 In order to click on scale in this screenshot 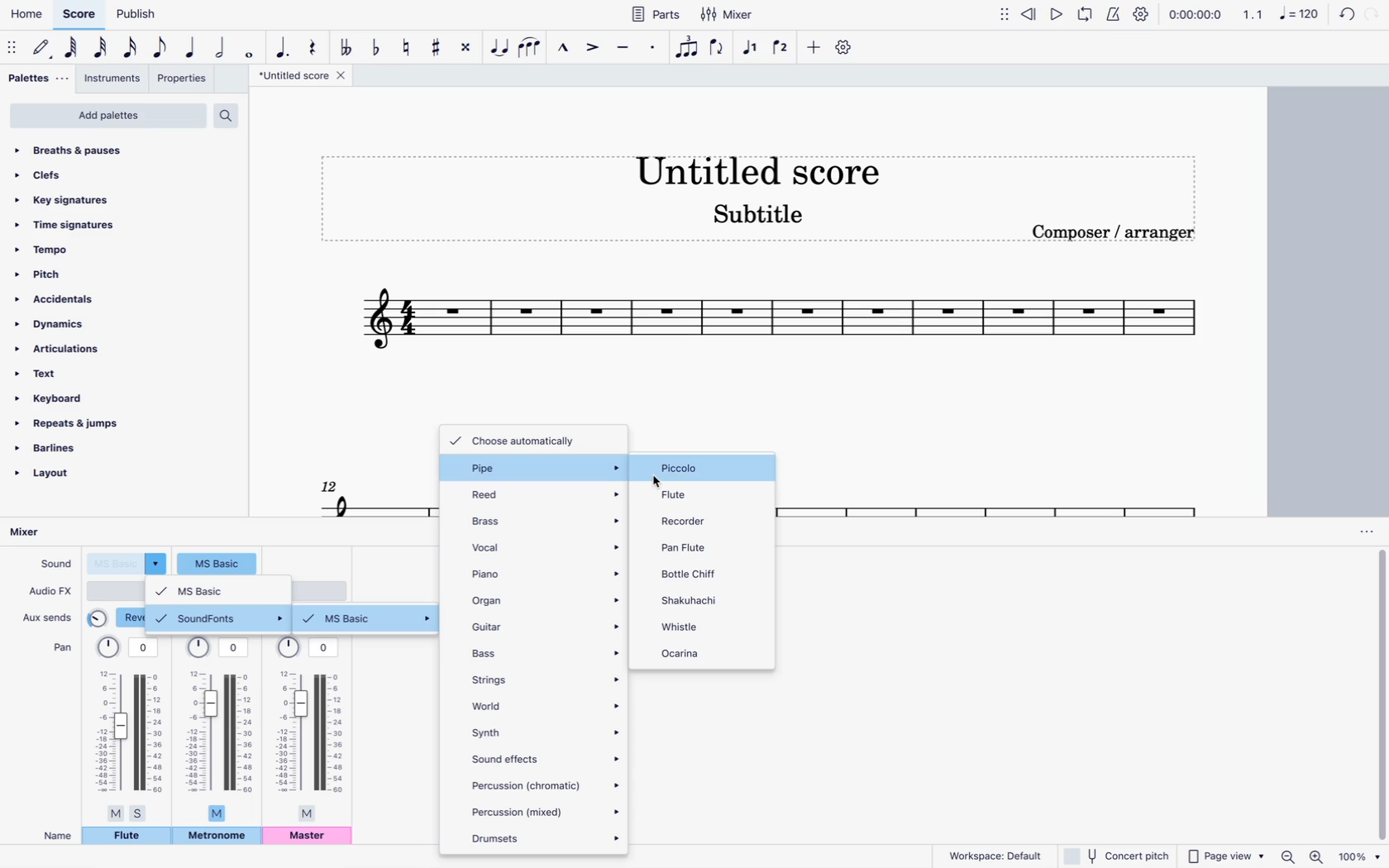, I will do `click(780, 324)`.